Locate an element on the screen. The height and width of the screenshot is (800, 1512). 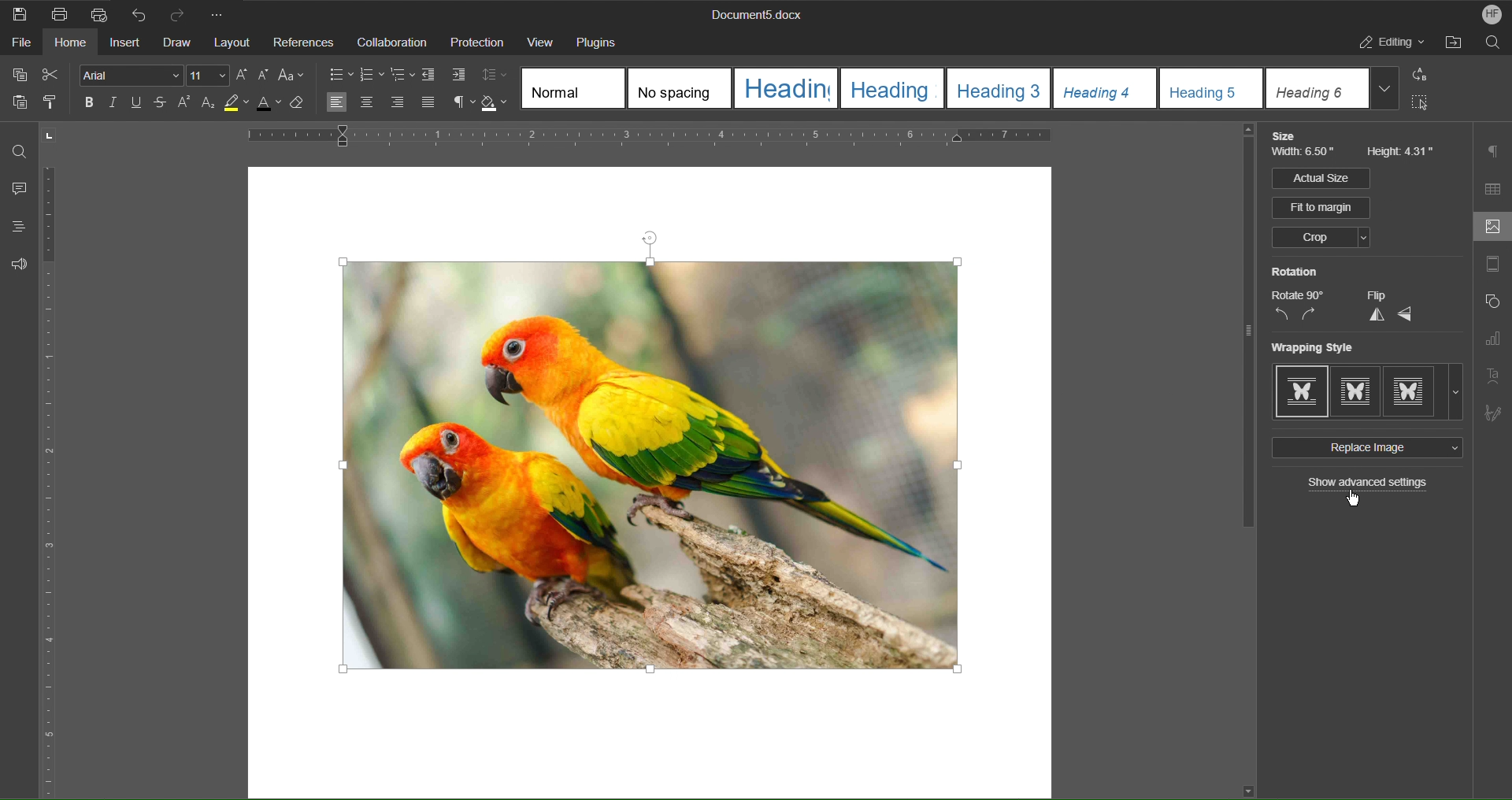
Layout is located at coordinates (234, 43).